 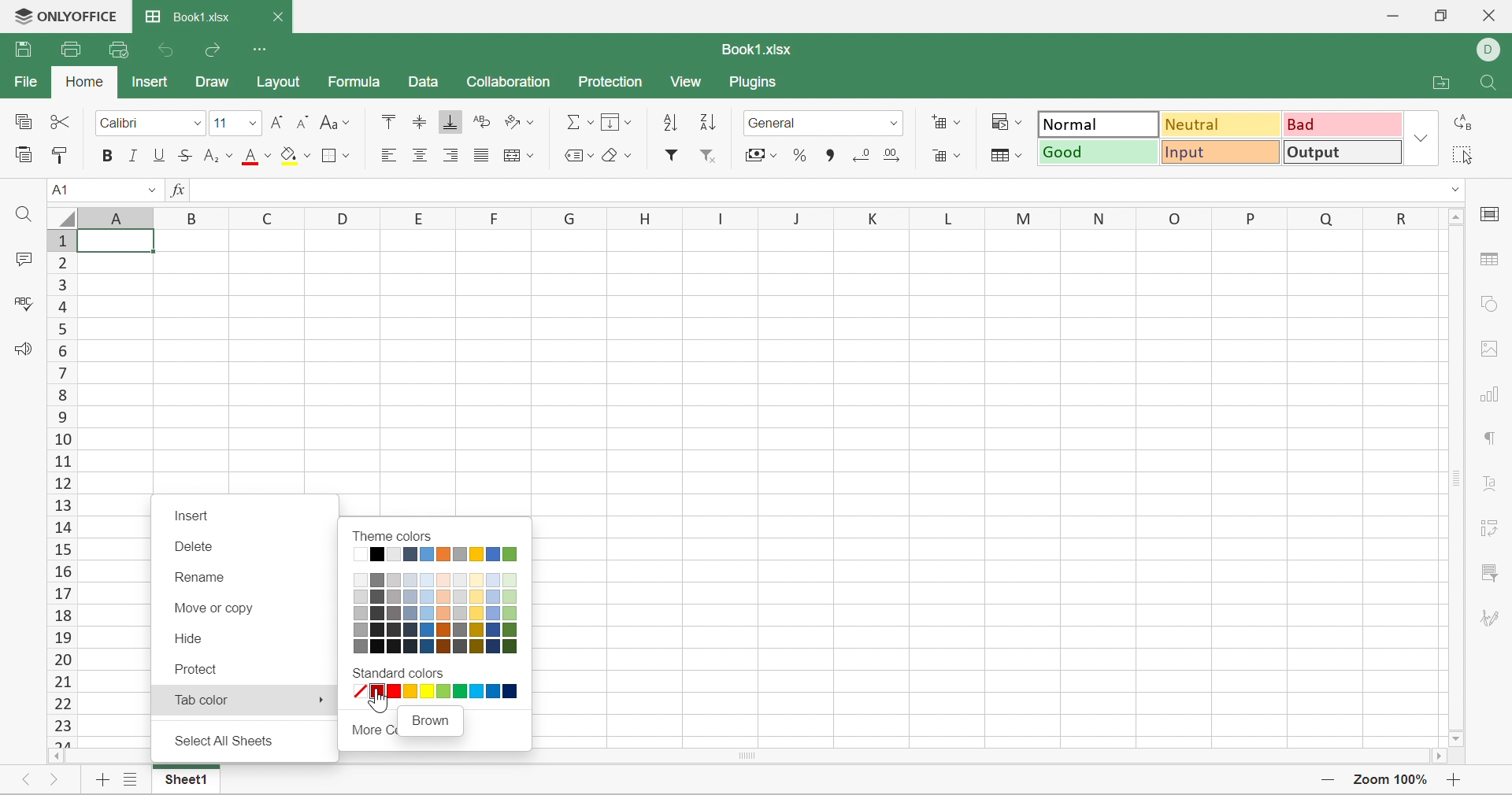 I want to click on Sort ascending, so click(x=667, y=122).